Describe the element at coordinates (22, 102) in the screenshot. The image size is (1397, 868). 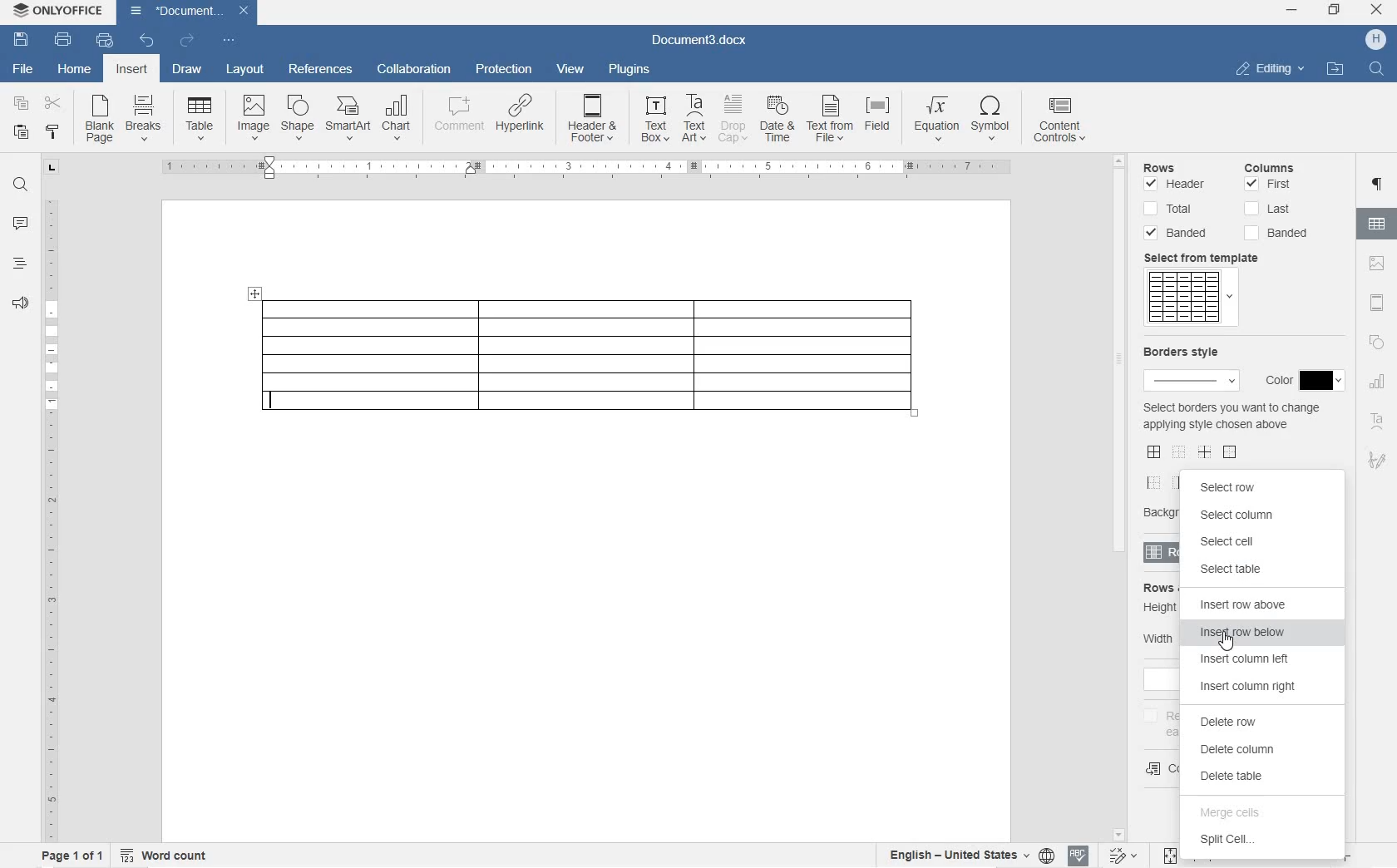
I see `COPY` at that location.